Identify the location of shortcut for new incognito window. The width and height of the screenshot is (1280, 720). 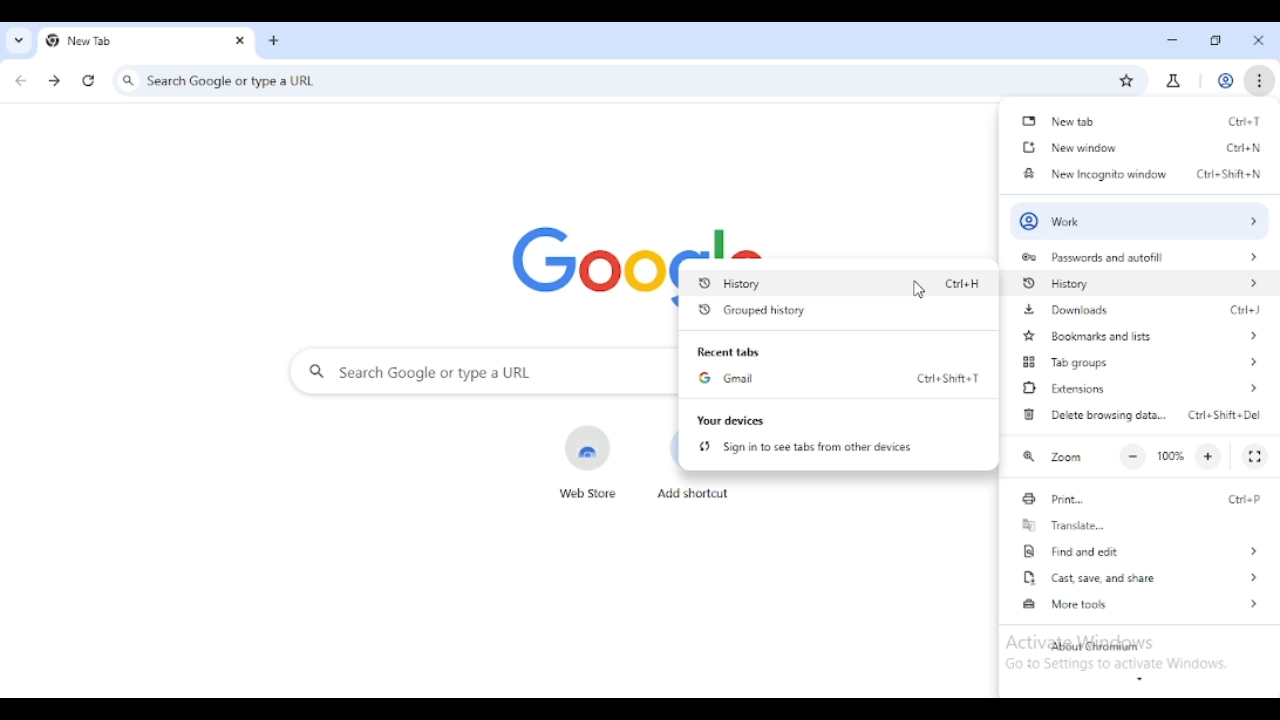
(1228, 174).